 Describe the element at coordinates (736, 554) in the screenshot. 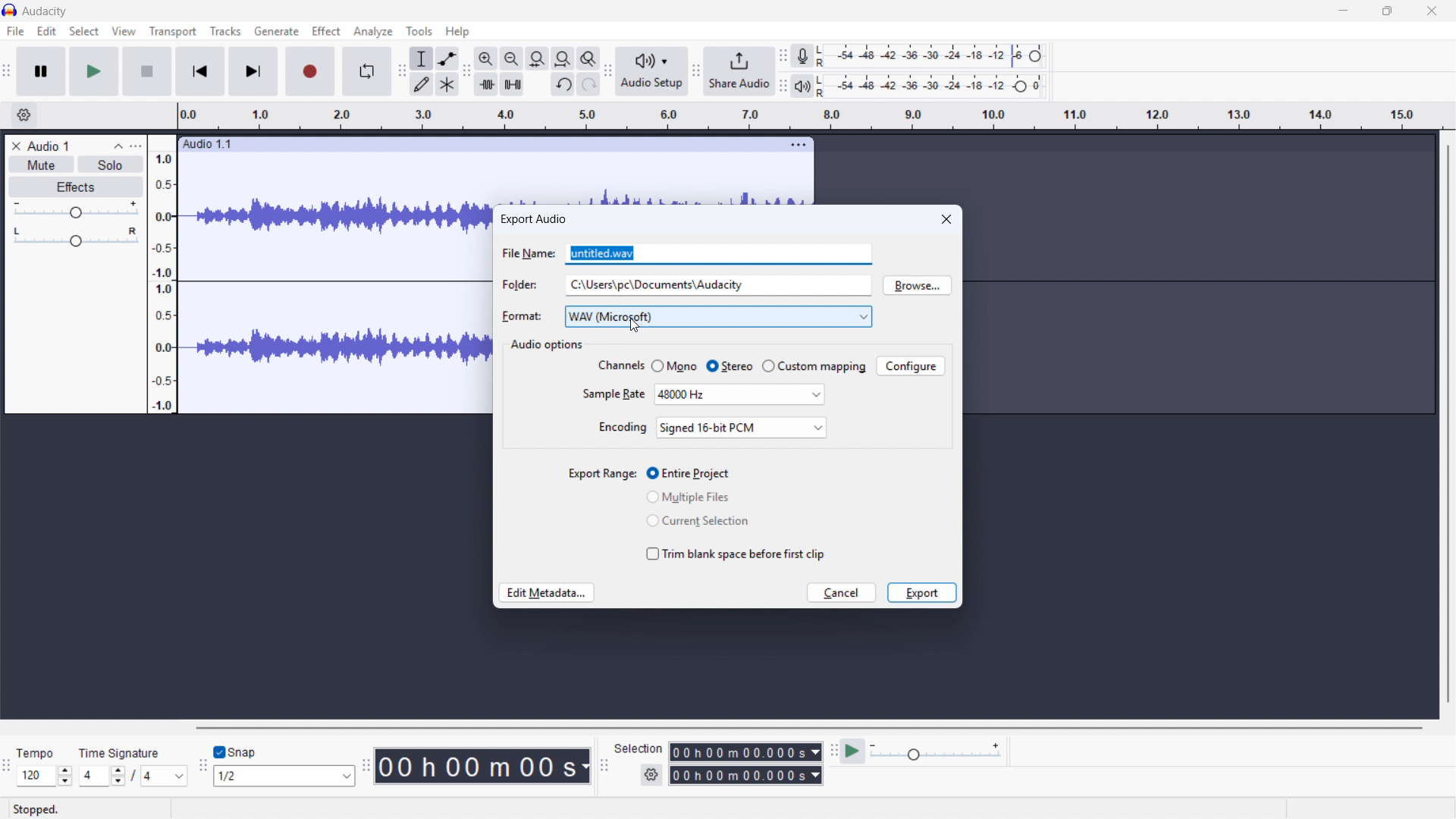

I see `Trim blank space before first clip ` at that location.